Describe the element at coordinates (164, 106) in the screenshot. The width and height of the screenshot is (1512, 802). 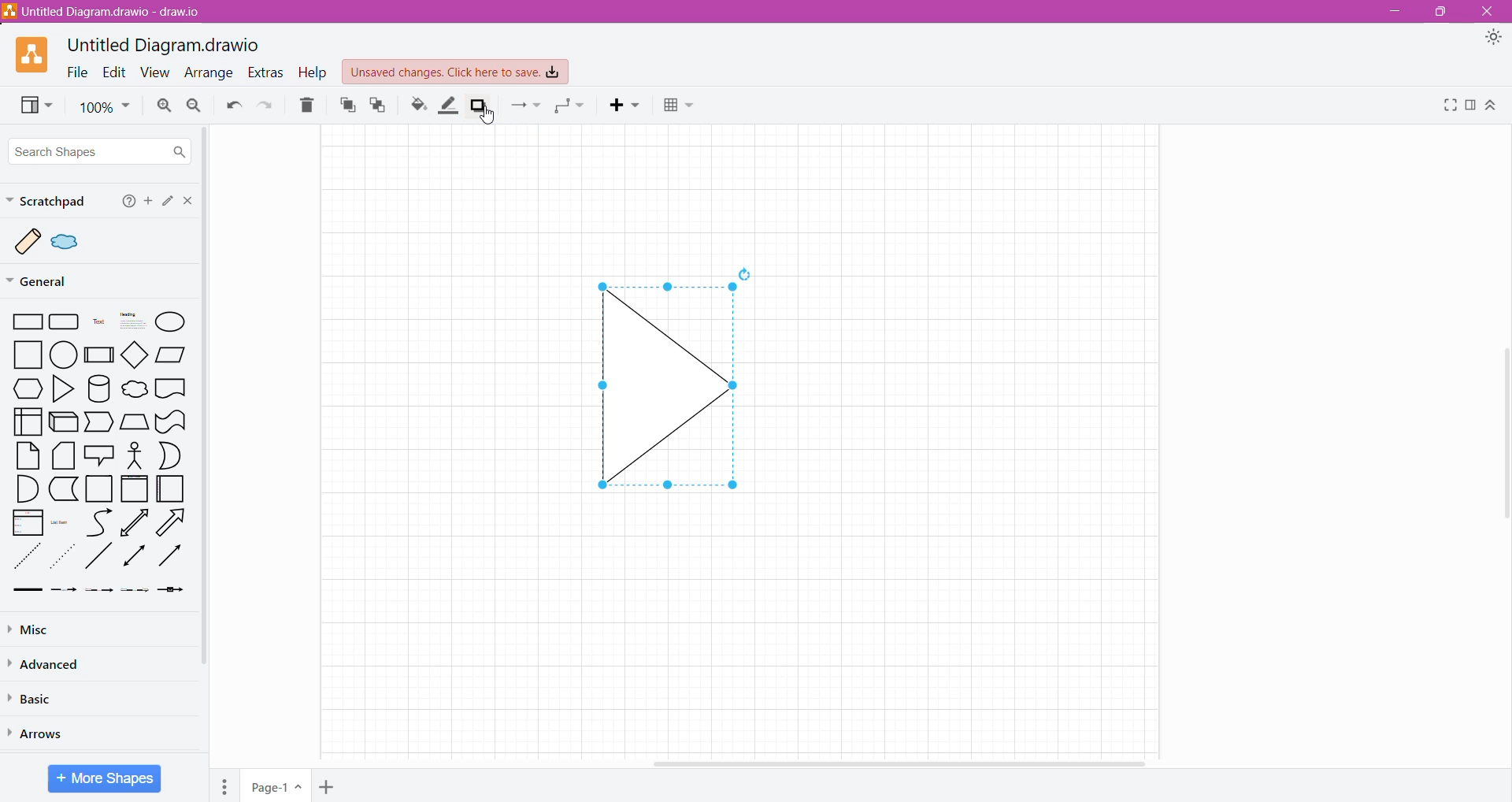
I see `Zoom In` at that location.